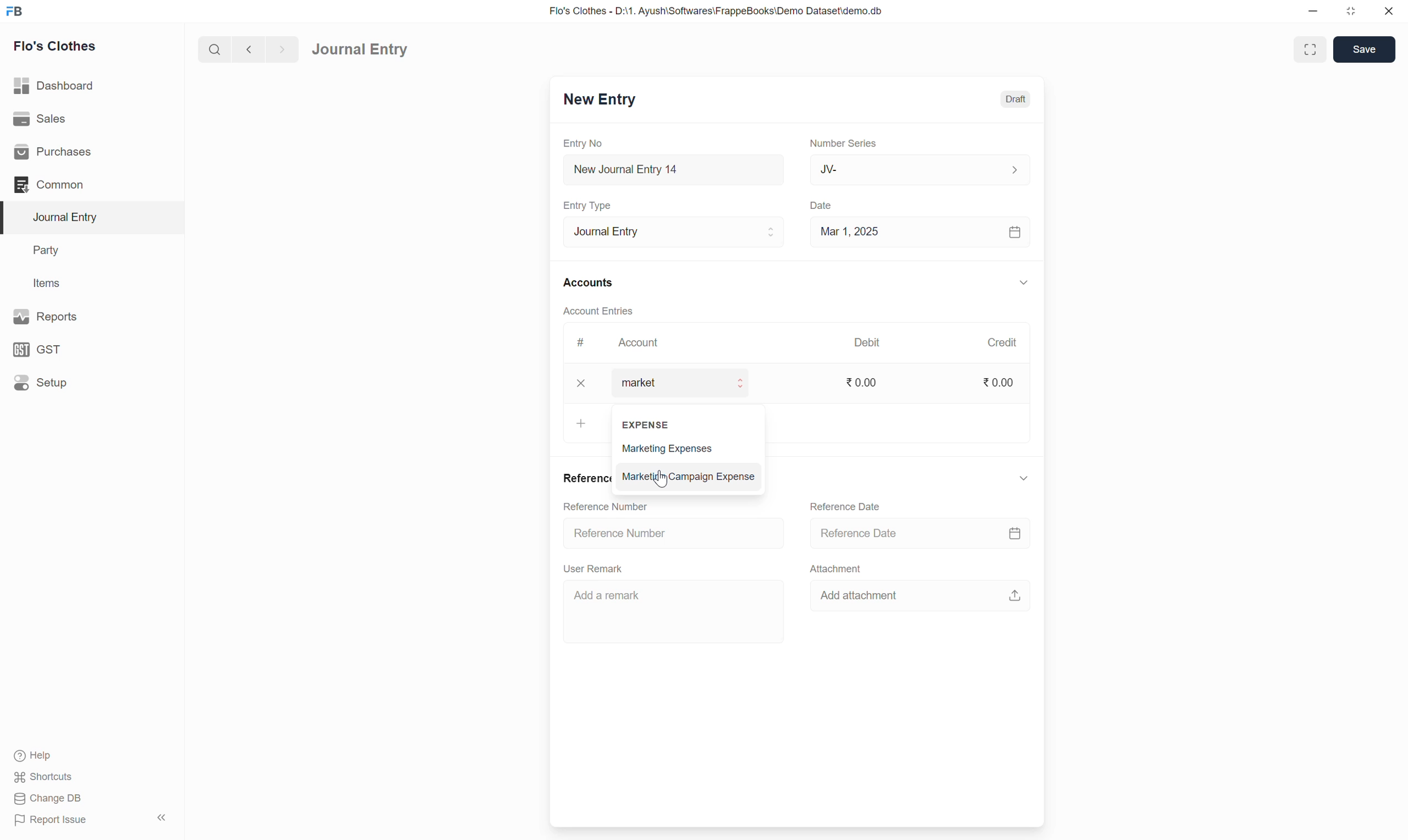 This screenshot has height=840, width=1408. Describe the element at coordinates (213, 49) in the screenshot. I see `search` at that location.